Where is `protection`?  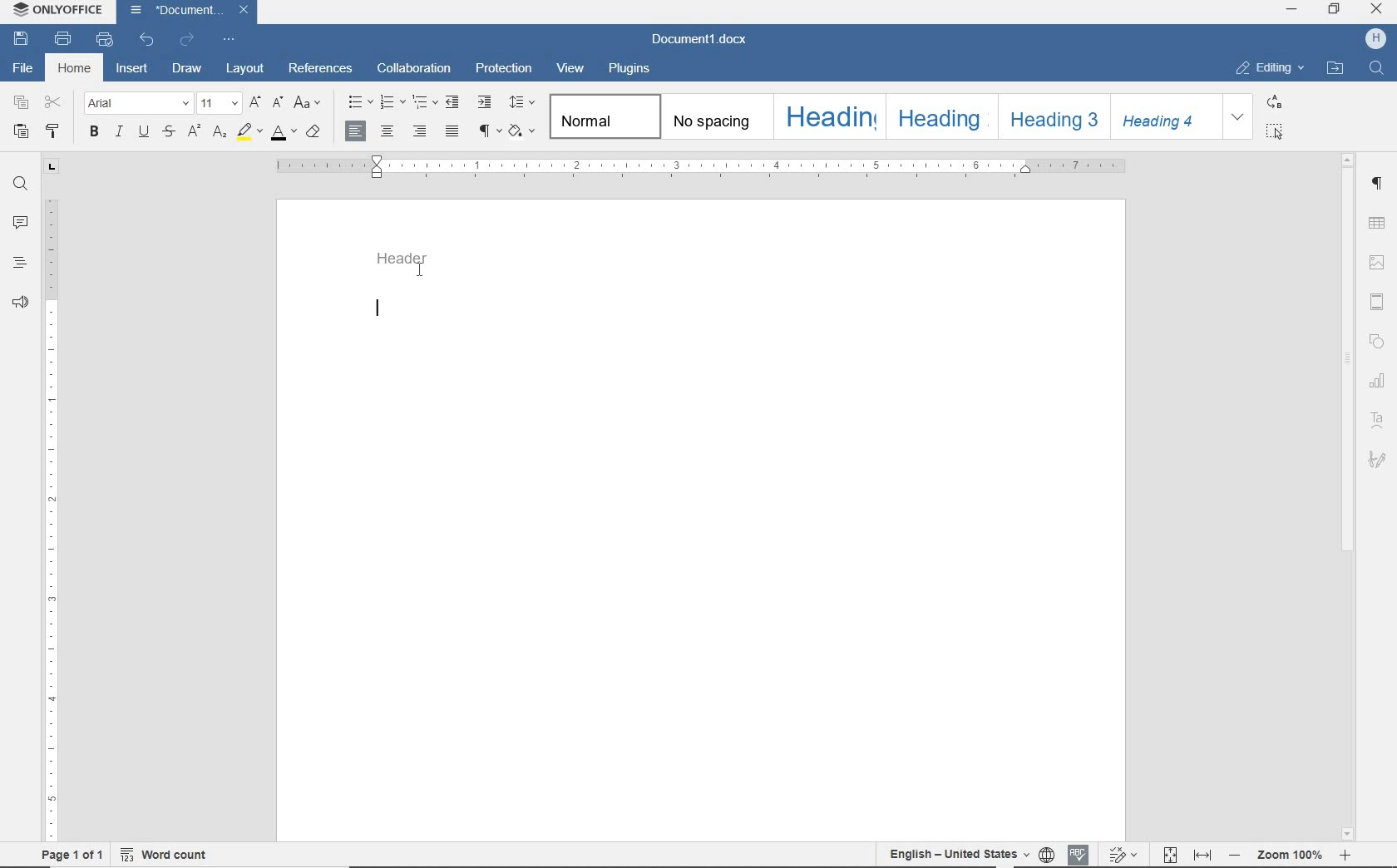 protection is located at coordinates (504, 68).